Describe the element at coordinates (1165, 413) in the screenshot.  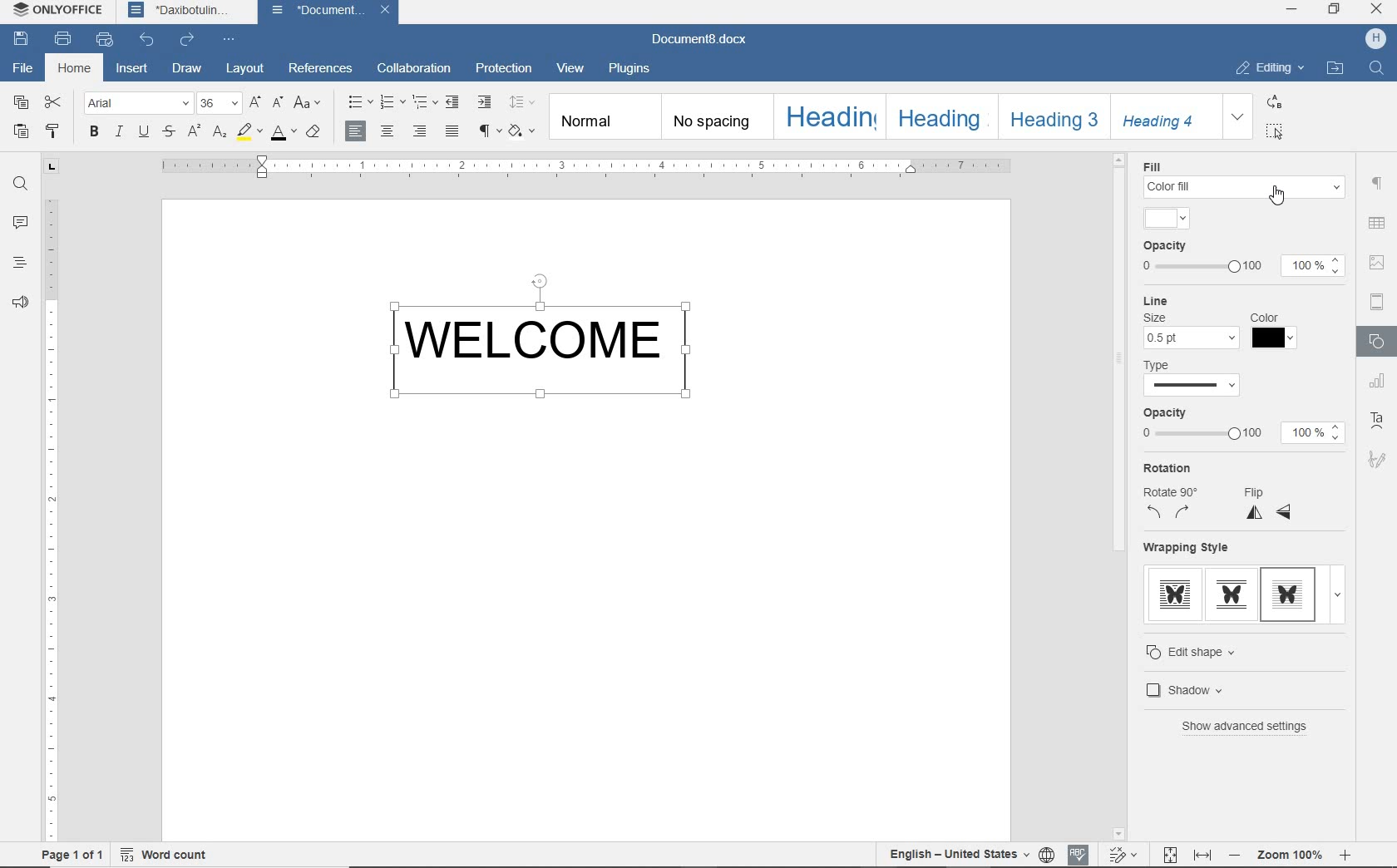
I see `Opacity` at that location.